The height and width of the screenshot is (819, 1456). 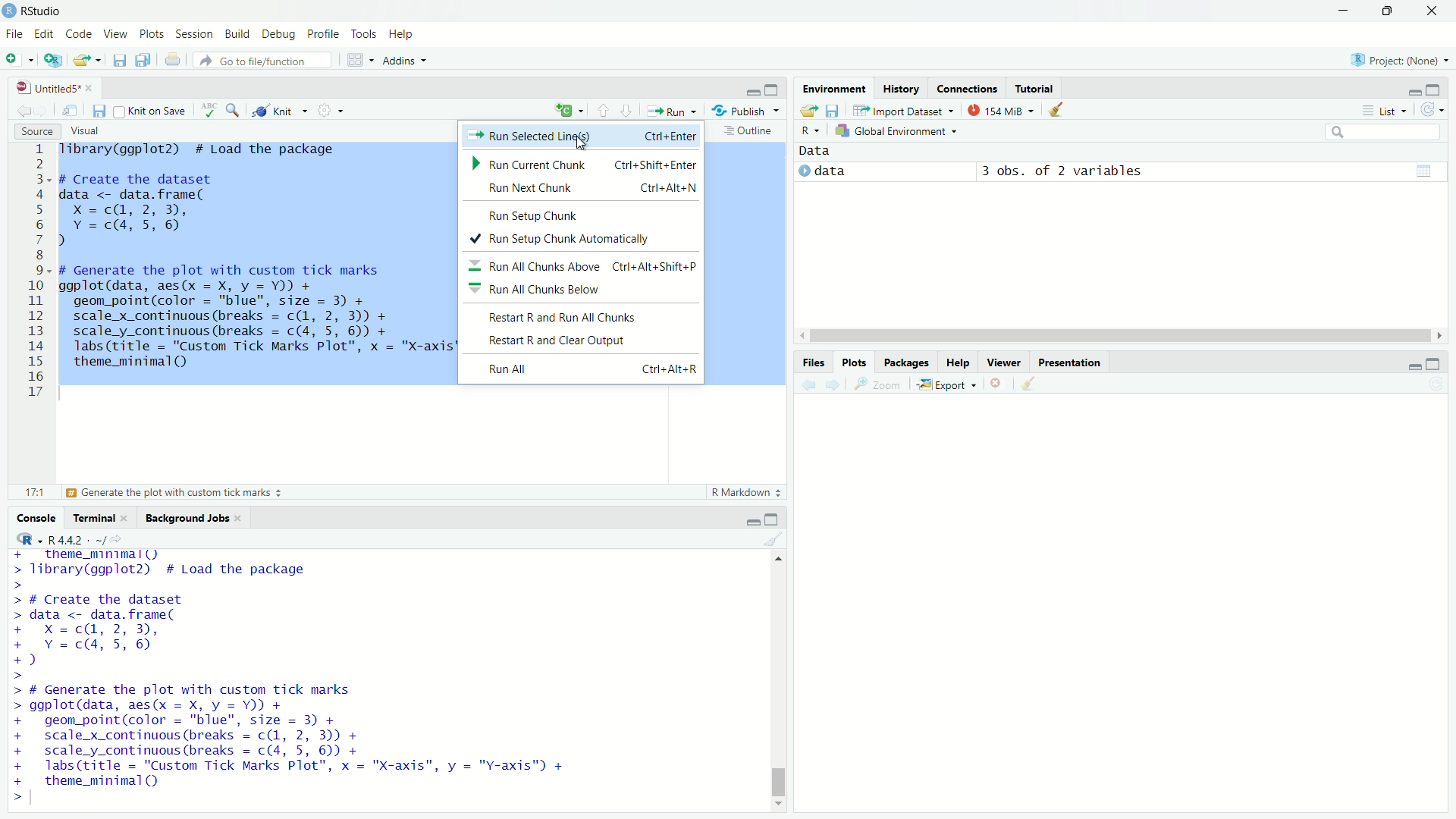 I want to click on r markdown, so click(x=742, y=491).